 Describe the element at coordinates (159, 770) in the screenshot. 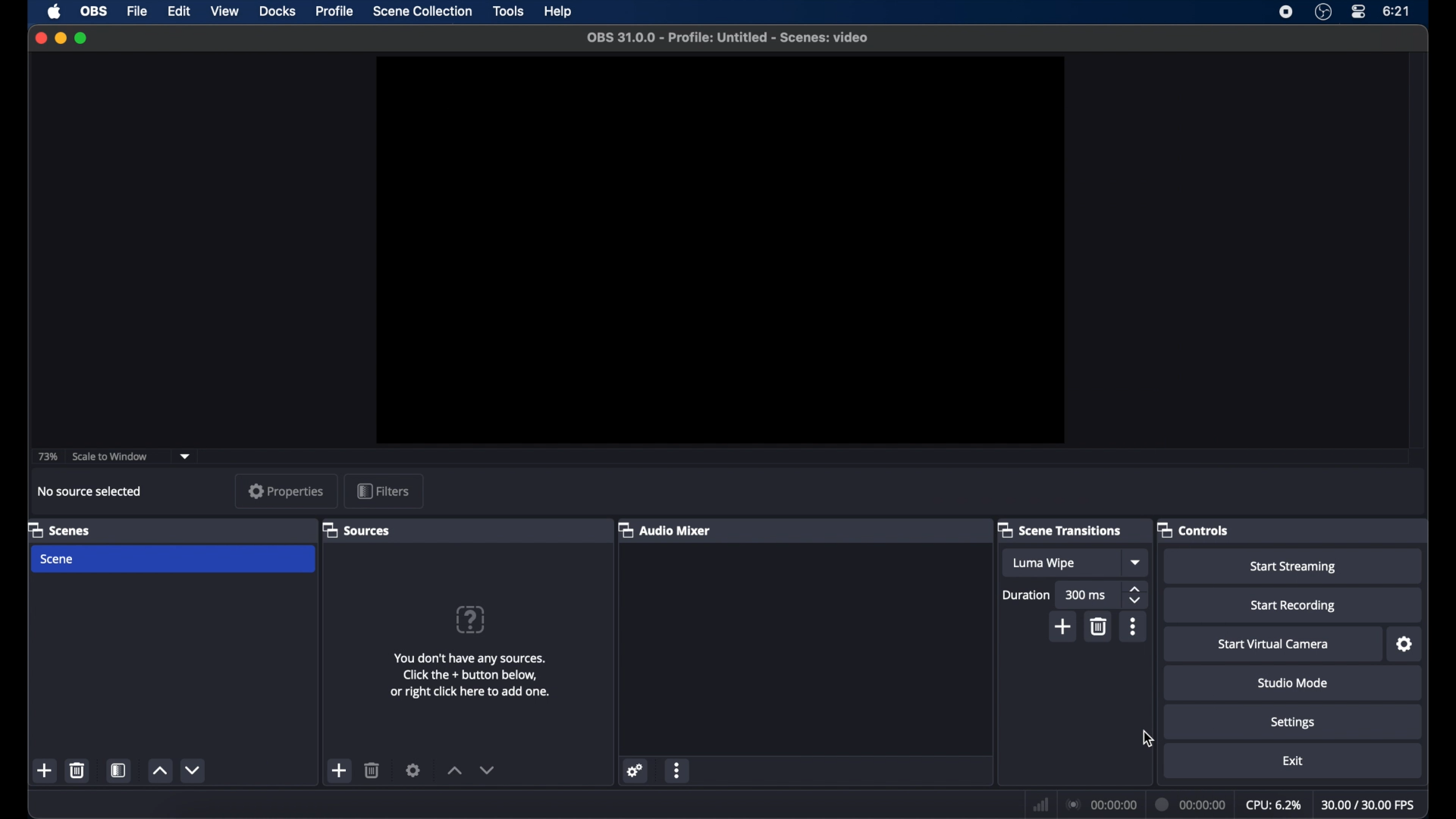

I see `increment` at that location.